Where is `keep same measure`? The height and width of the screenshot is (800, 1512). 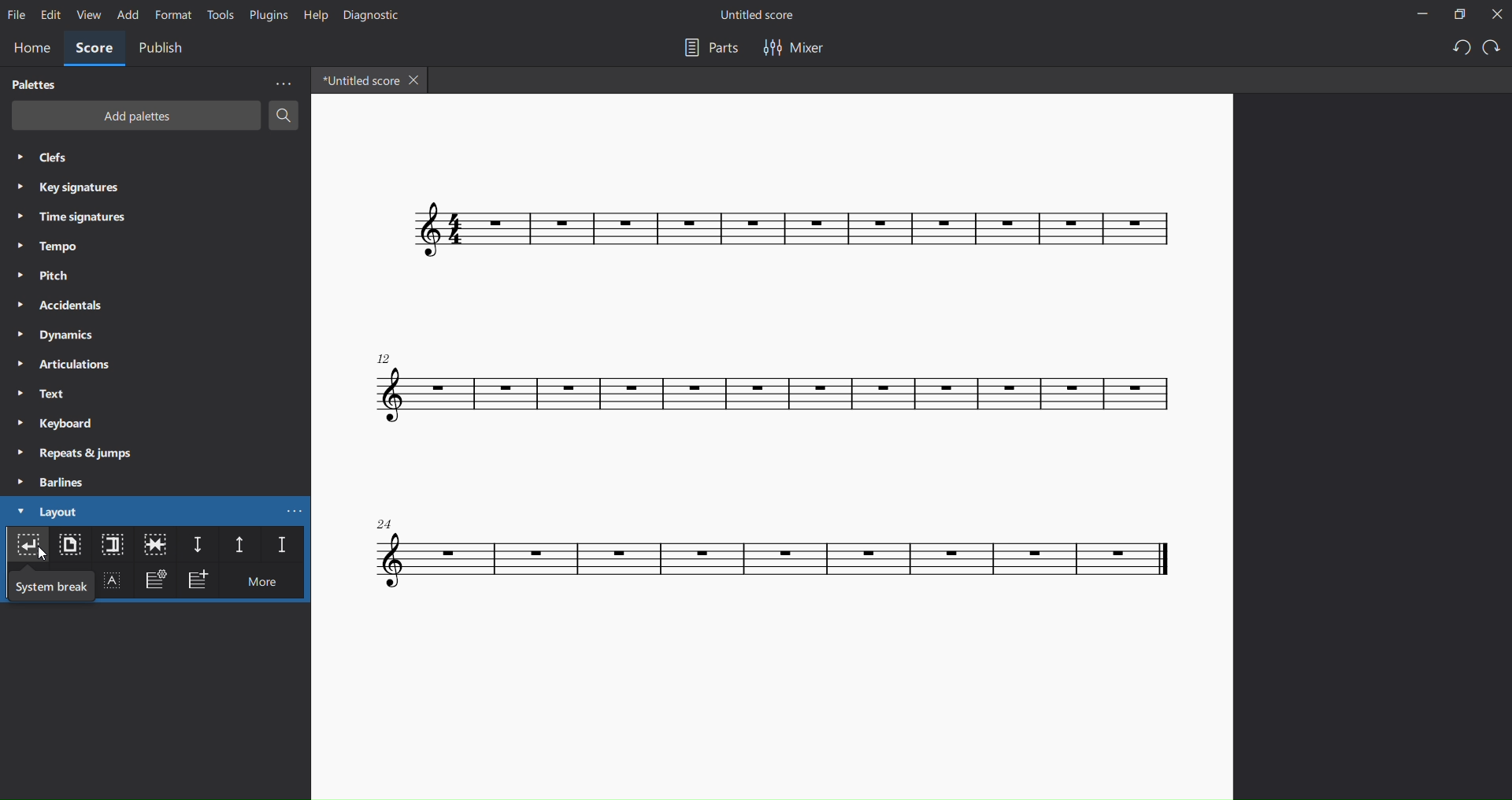
keep same measure is located at coordinates (155, 545).